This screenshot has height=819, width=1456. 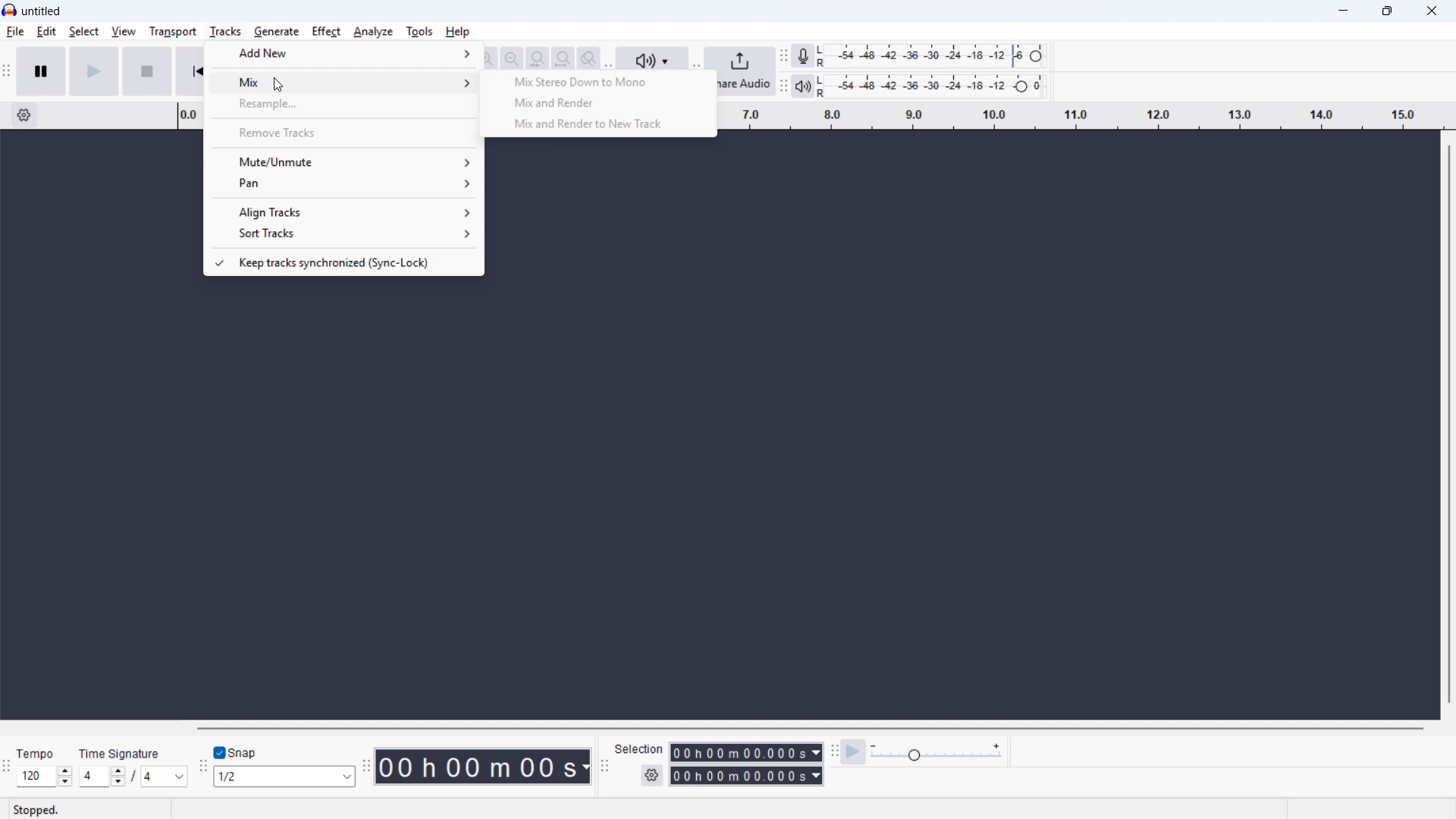 I want to click on Fit project to width , so click(x=564, y=58).